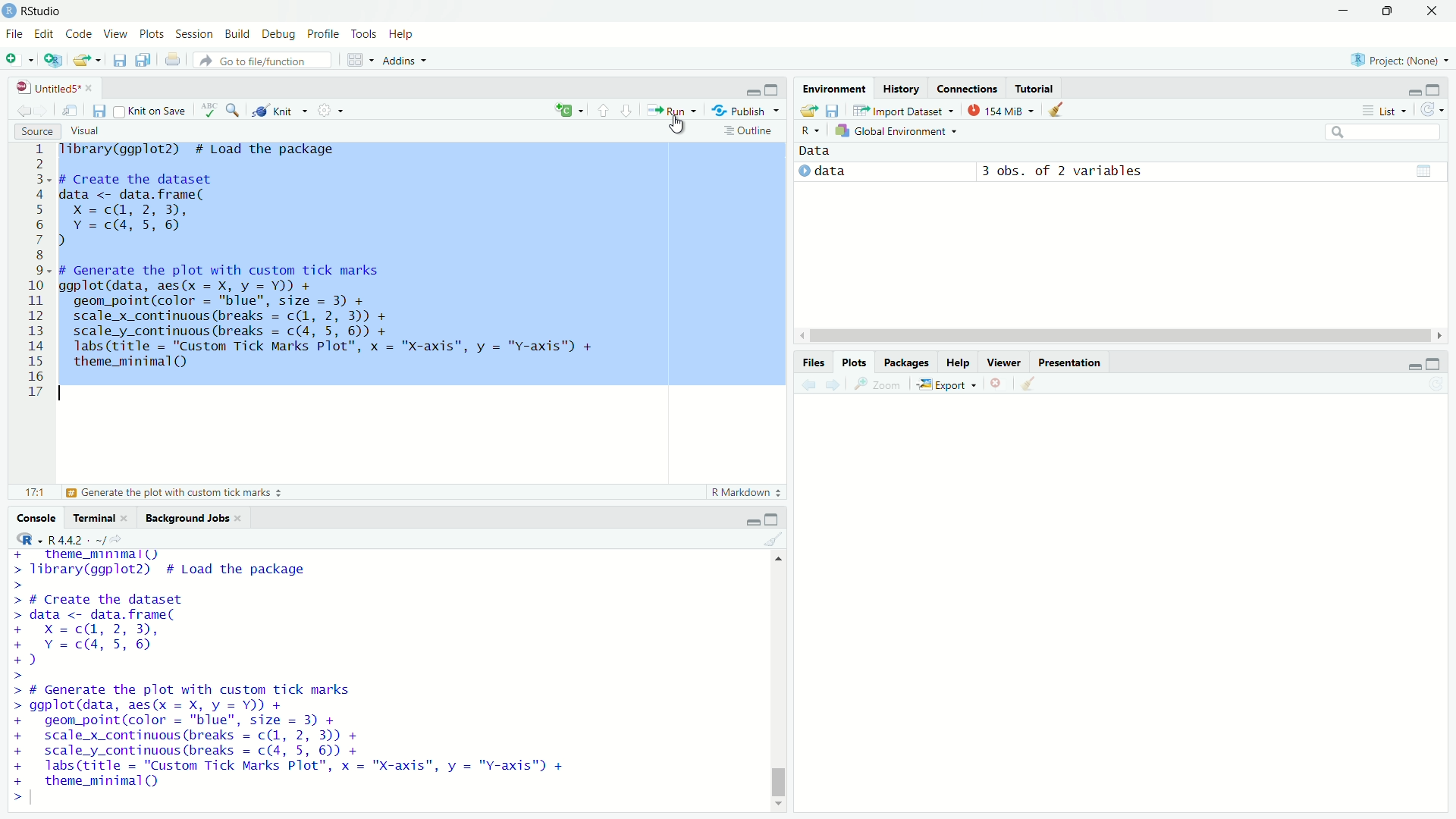 The width and height of the screenshot is (1456, 819). Describe the element at coordinates (89, 59) in the screenshot. I see `open an existing file` at that location.